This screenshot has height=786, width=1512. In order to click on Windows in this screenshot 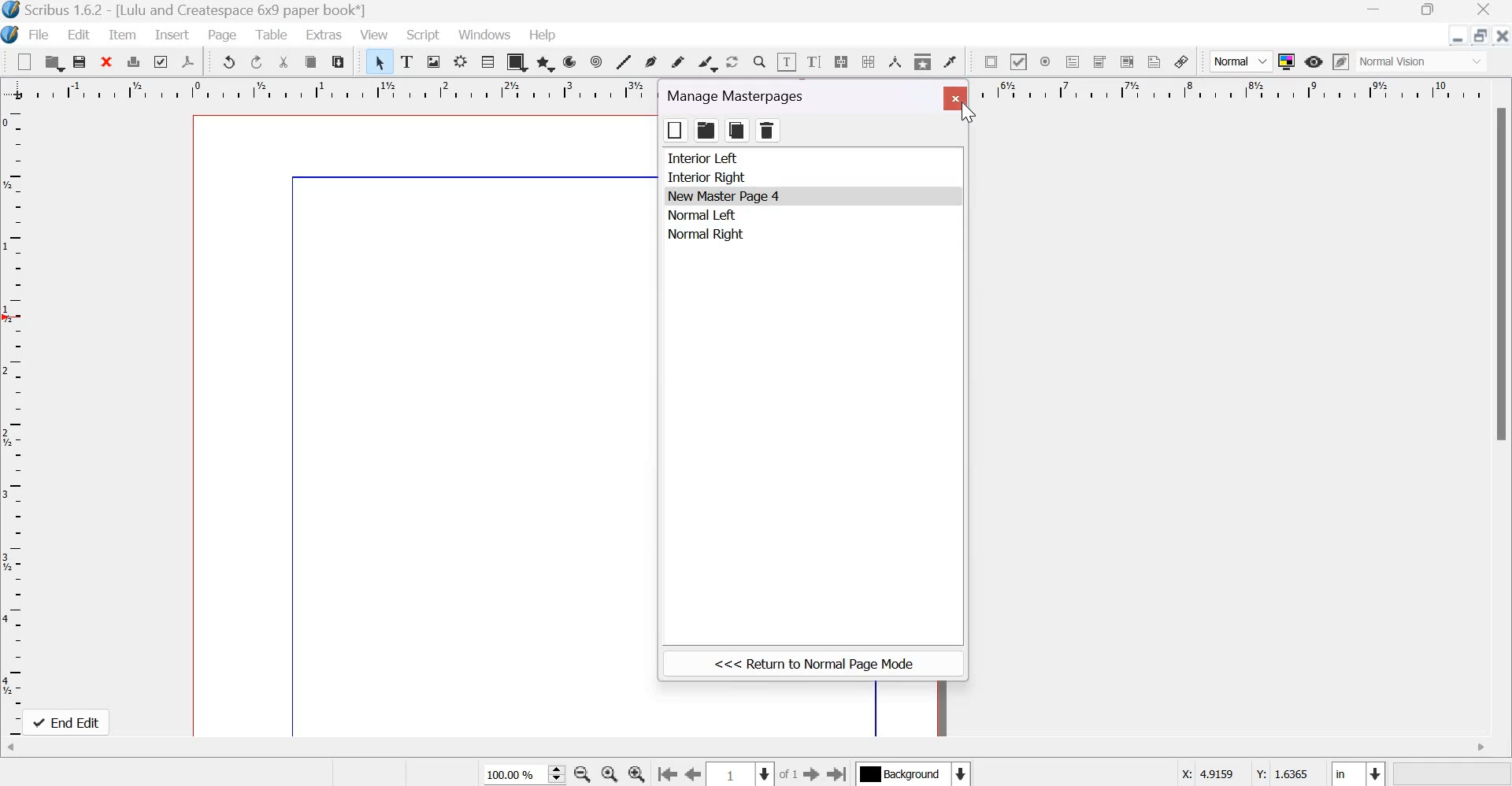, I will do `click(486, 33)`.